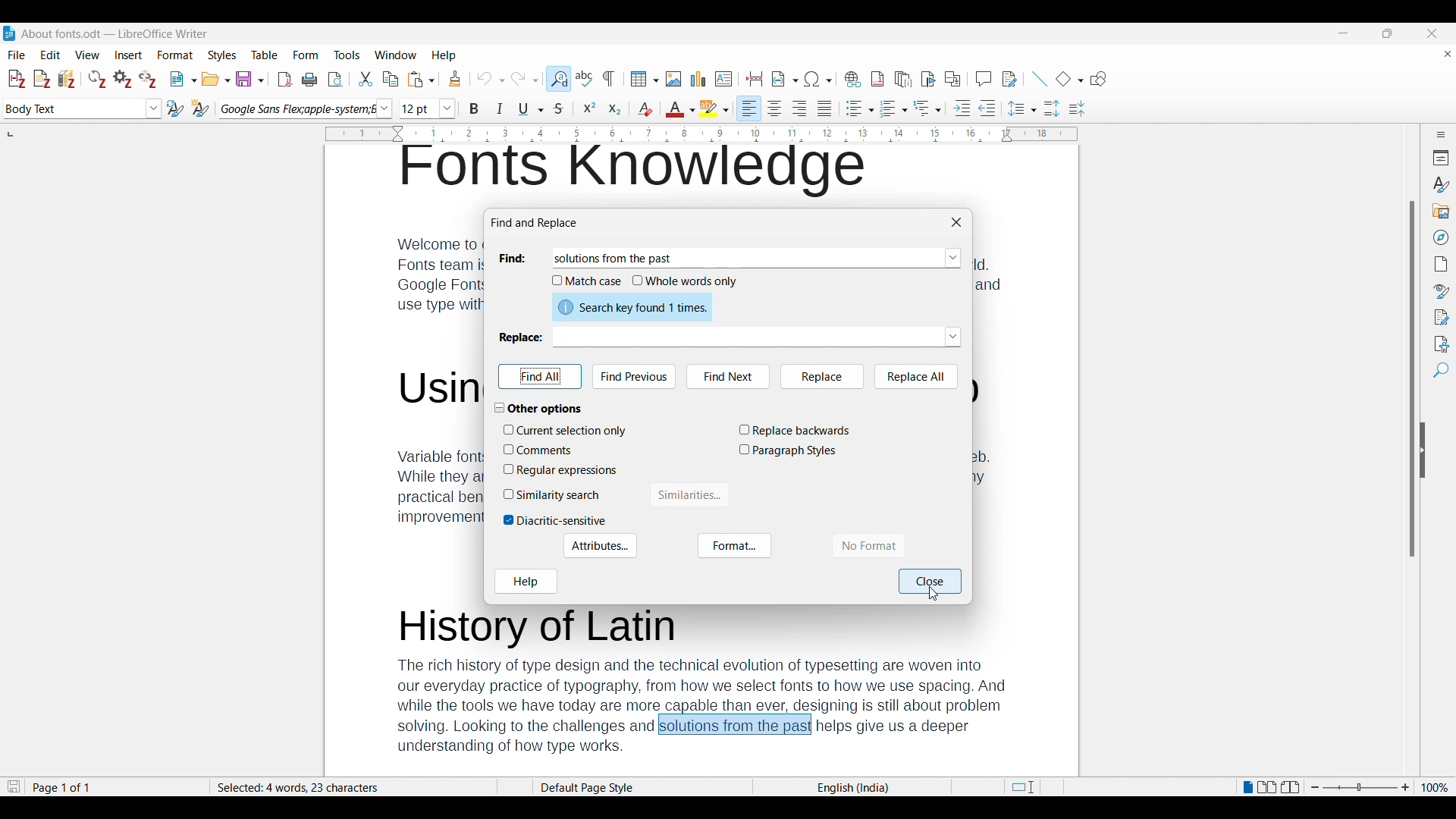  What do you see at coordinates (616, 258) in the screenshot?
I see `Text pasted` at bounding box center [616, 258].